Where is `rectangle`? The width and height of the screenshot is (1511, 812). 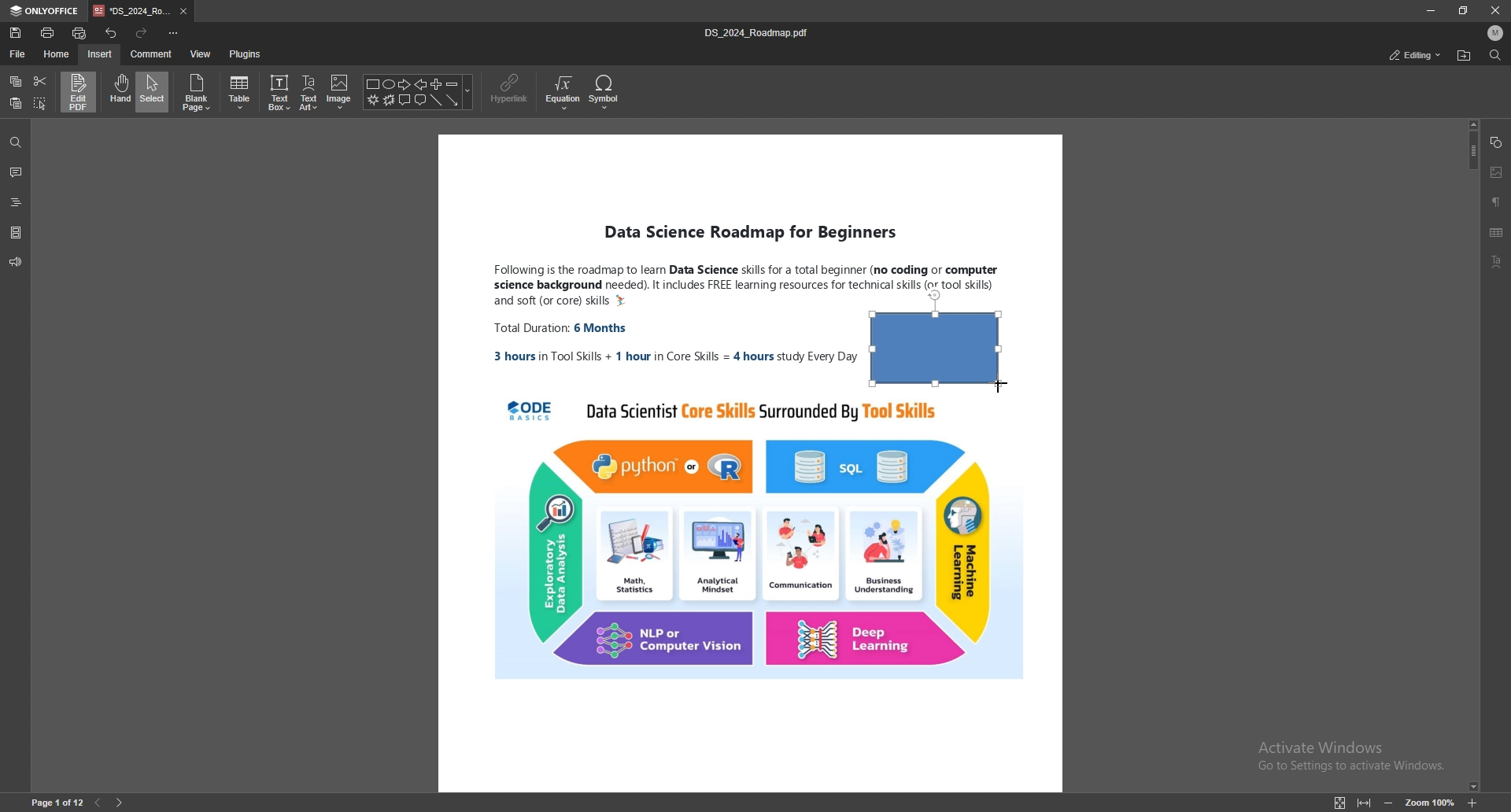 rectangle is located at coordinates (937, 338).